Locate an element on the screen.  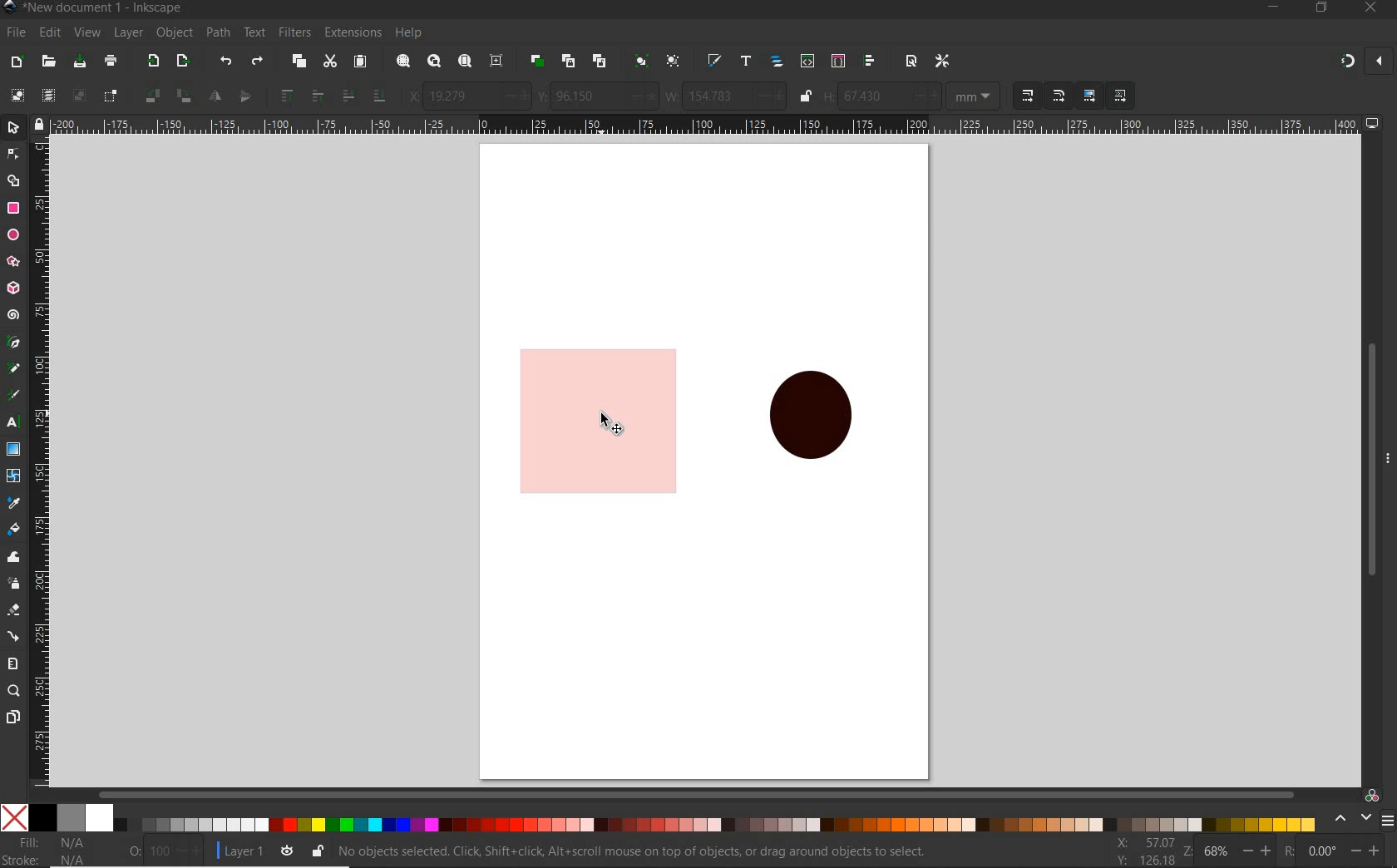
lock or unlock width and height is located at coordinates (807, 95).